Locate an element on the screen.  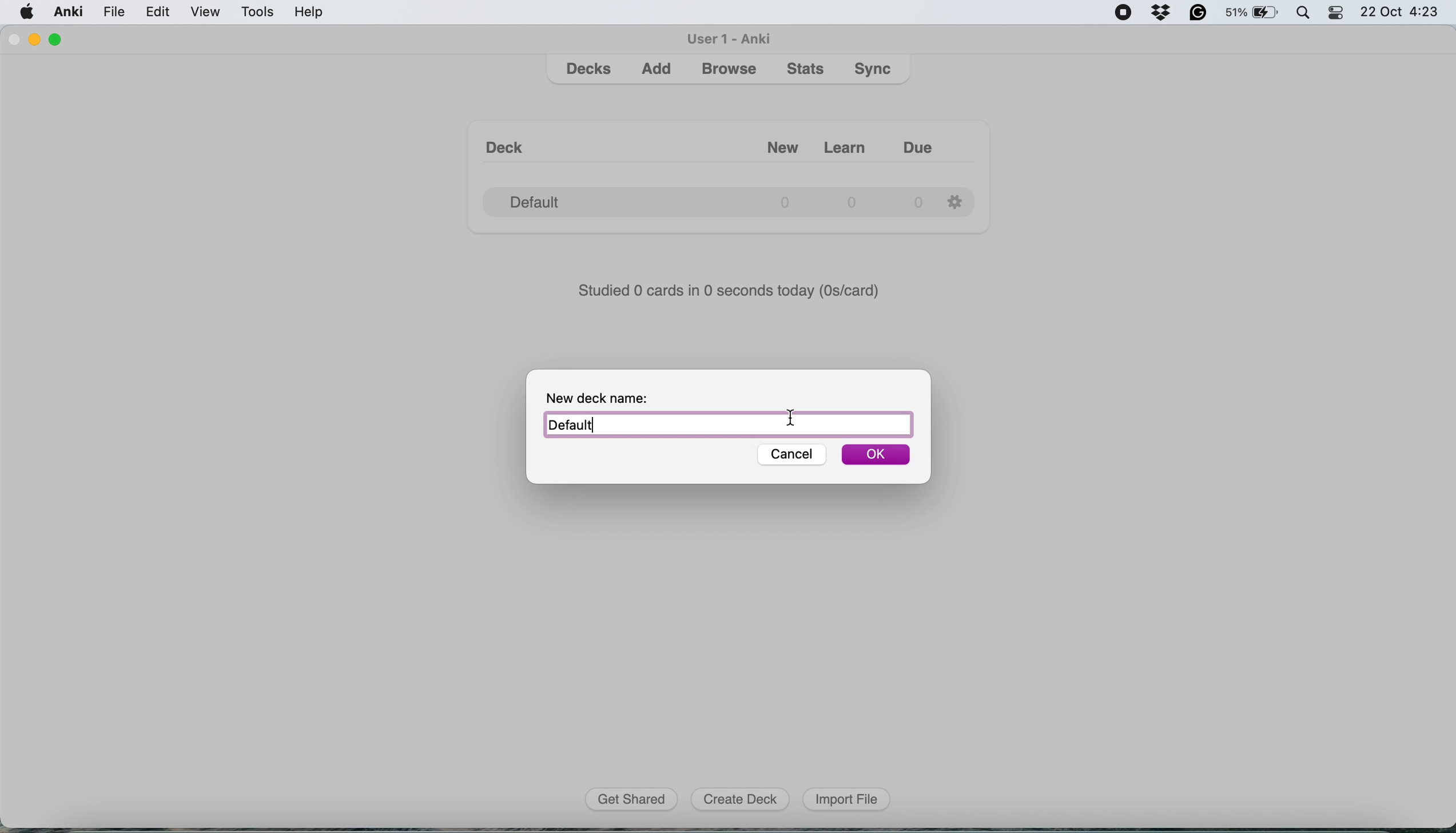
file is located at coordinates (113, 12).